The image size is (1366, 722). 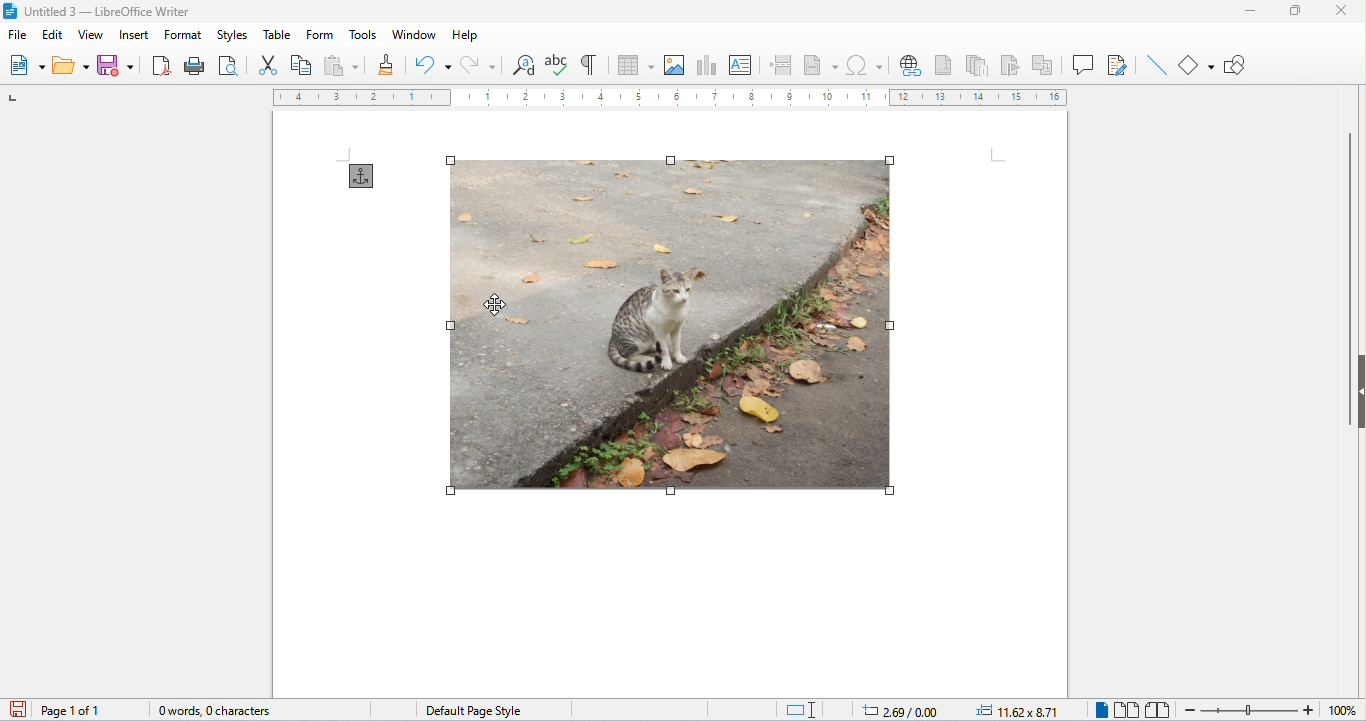 I want to click on insert chat, so click(x=708, y=67).